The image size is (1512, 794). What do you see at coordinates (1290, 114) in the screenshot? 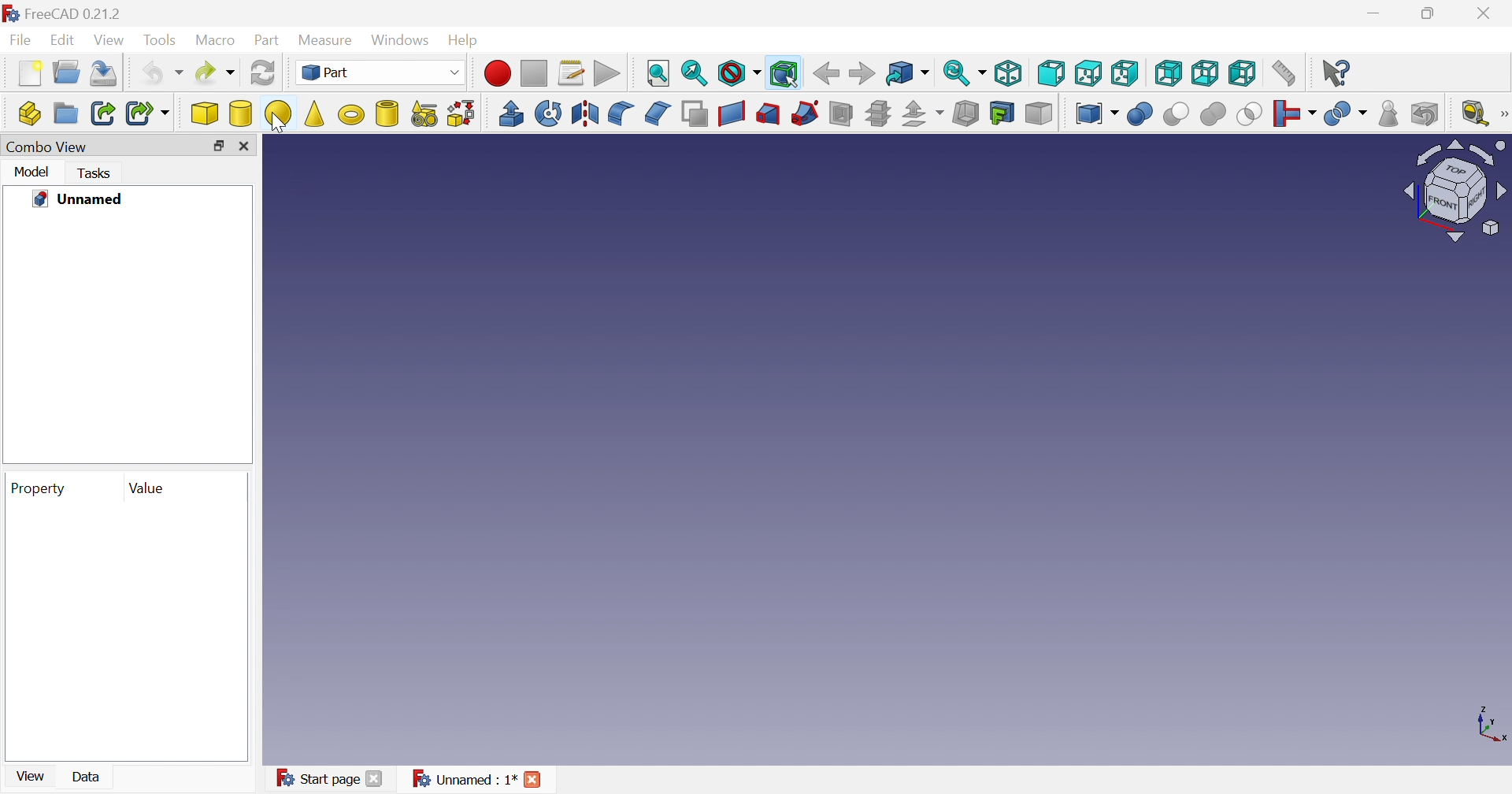
I see `Join objects` at bounding box center [1290, 114].